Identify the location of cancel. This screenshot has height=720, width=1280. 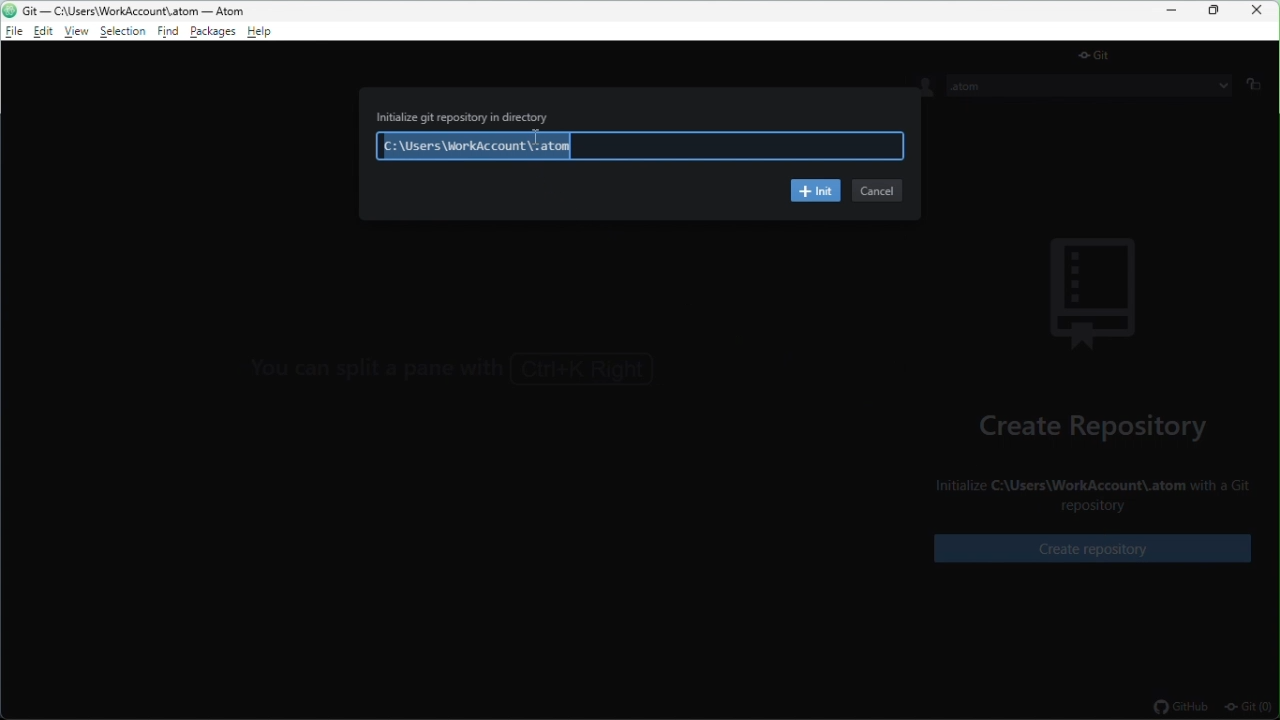
(877, 191).